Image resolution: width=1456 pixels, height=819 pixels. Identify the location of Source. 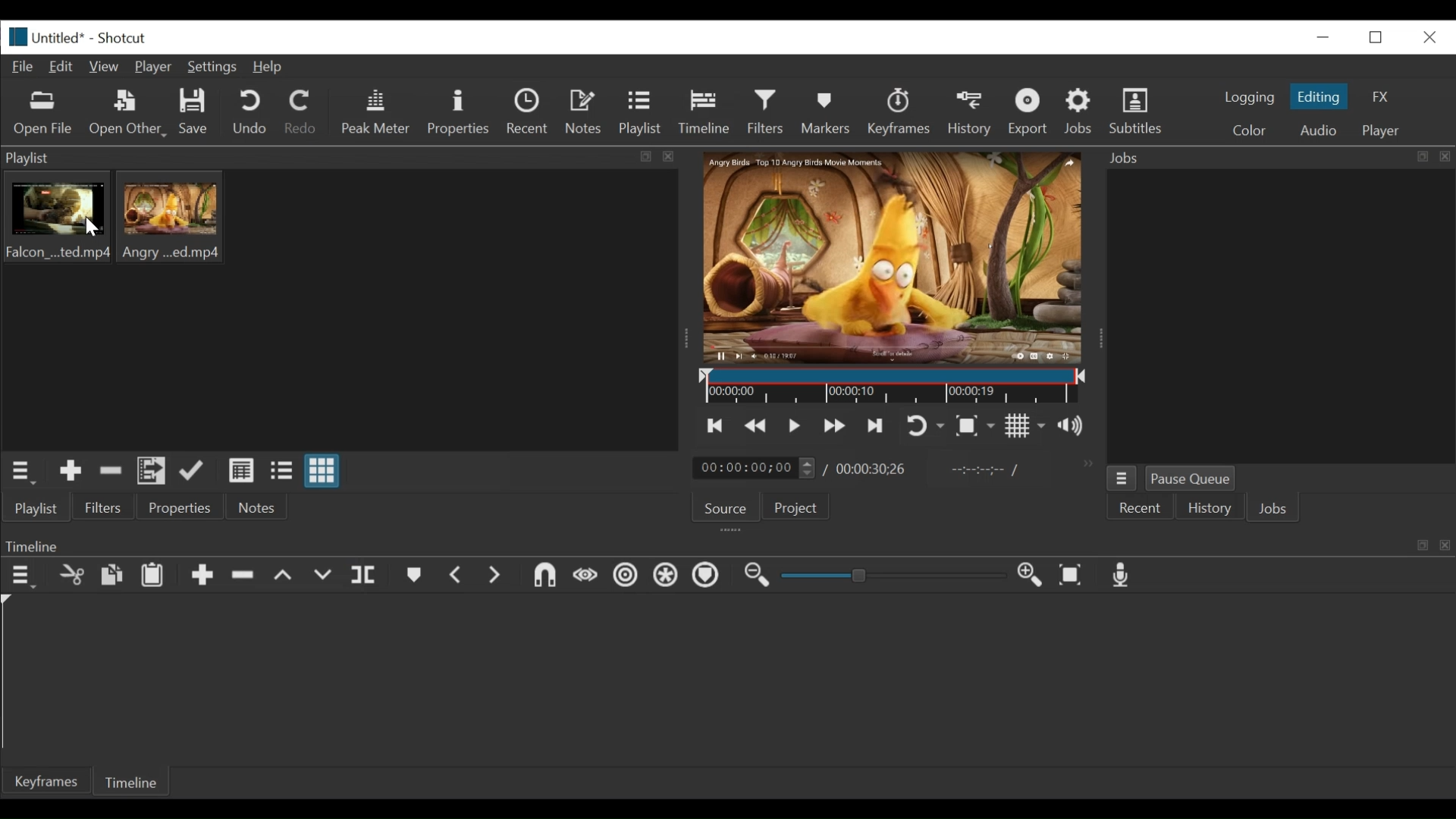
(724, 510).